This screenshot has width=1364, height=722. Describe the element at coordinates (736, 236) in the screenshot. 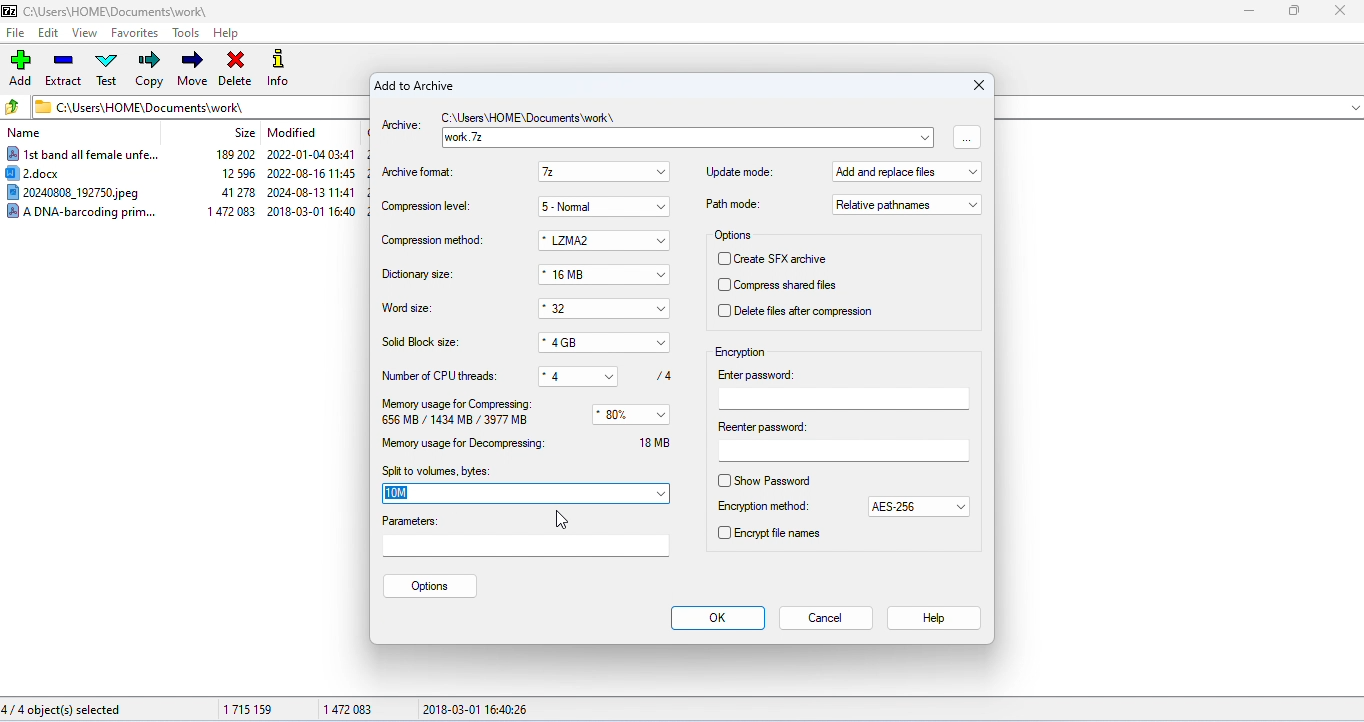

I see `options` at that location.